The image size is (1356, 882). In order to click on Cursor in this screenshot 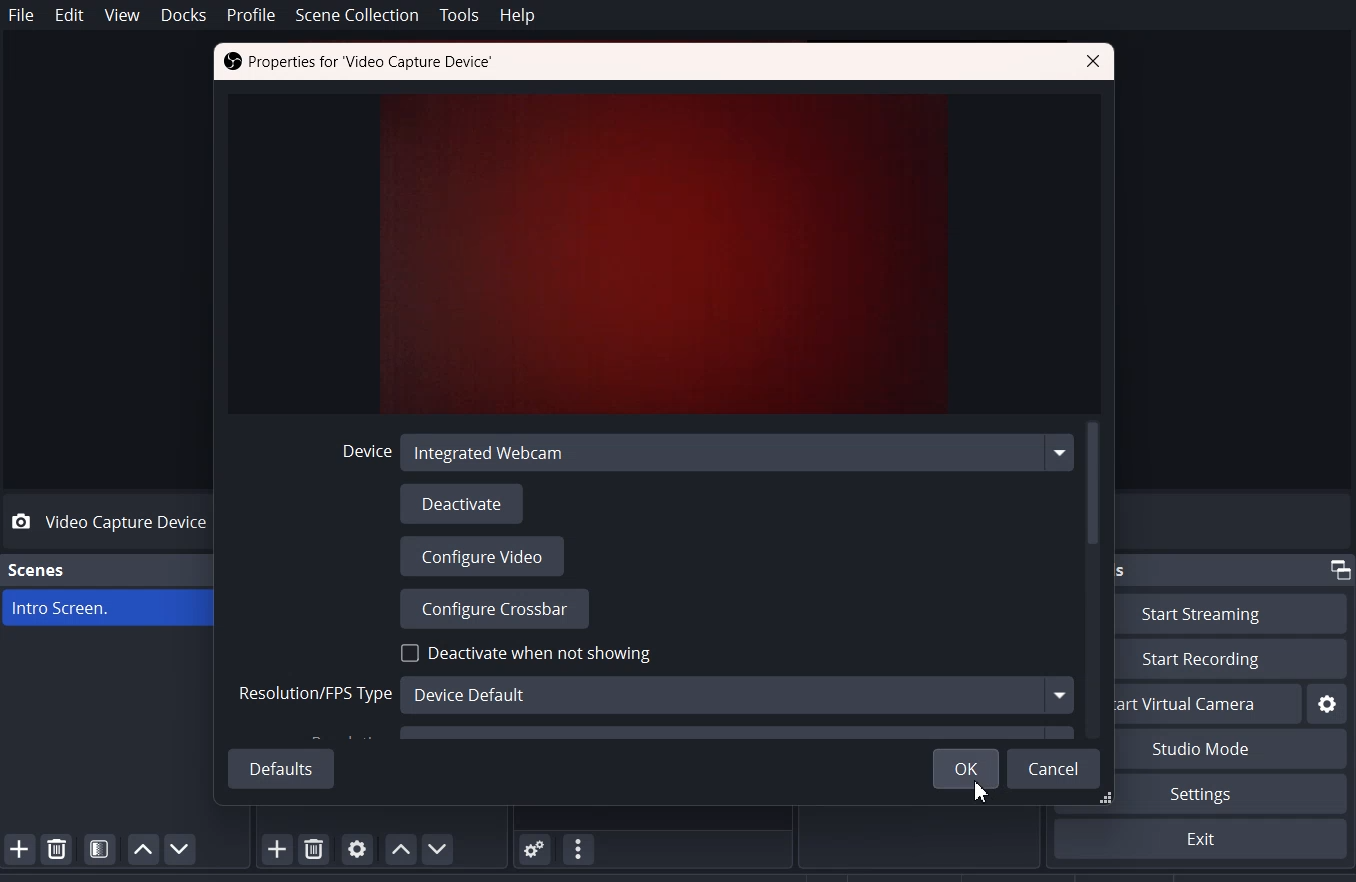, I will do `click(977, 795)`.